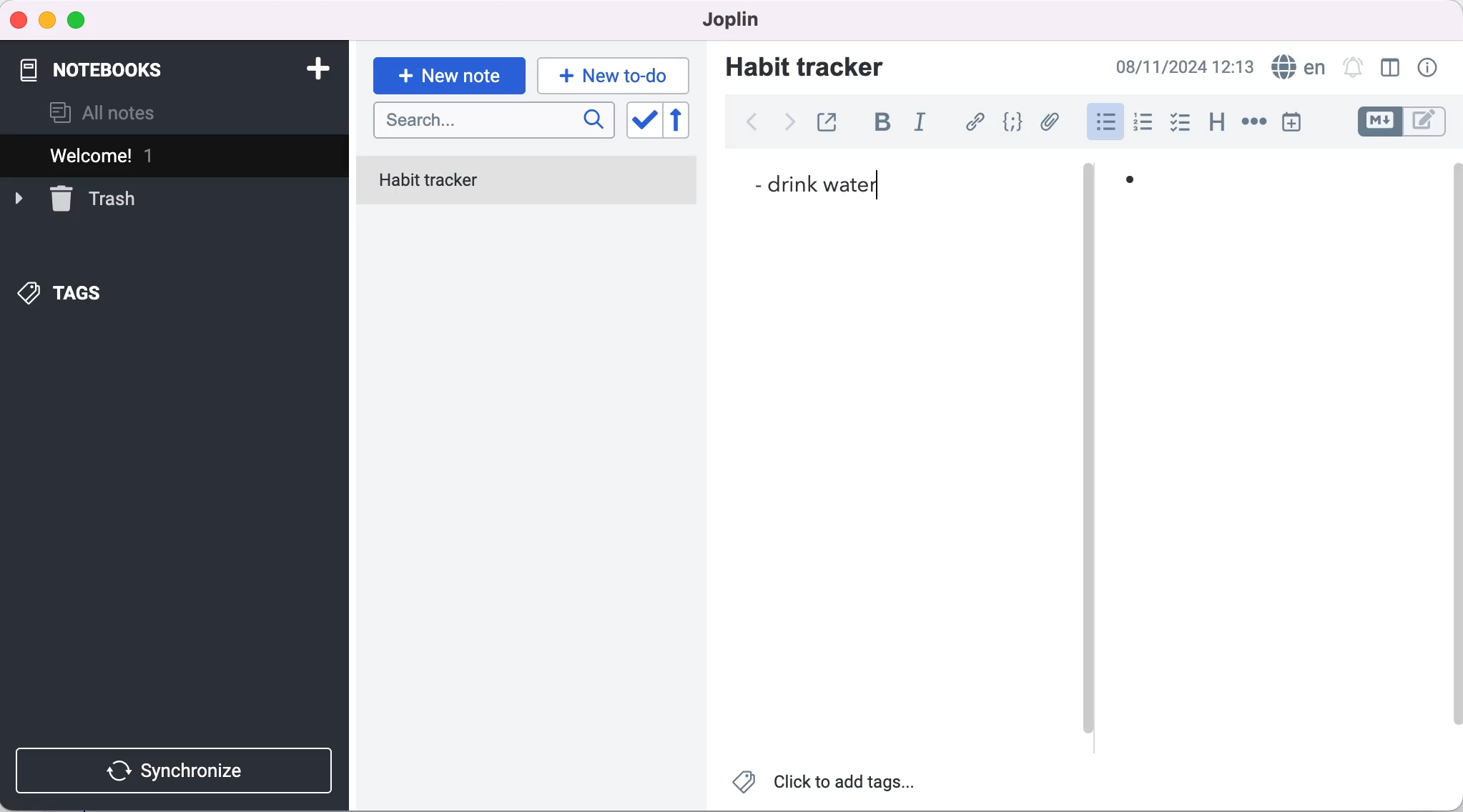 This screenshot has width=1463, height=812. I want to click on reverse sort order, so click(686, 121).